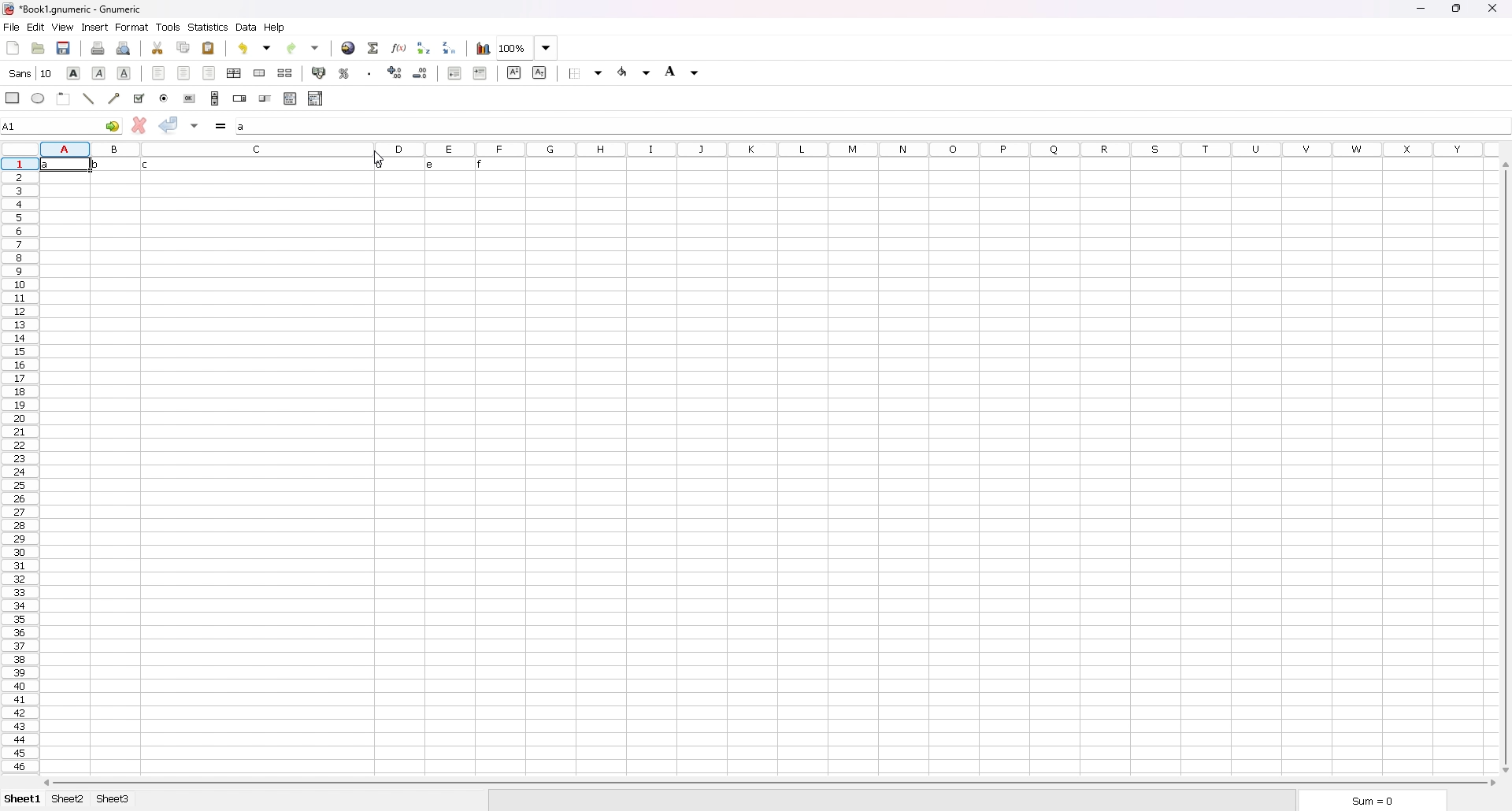 The image size is (1512, 811). What do you see at coordinates (246, 28) in the screenshot?
I see `data` at bounding box center [246, 28].